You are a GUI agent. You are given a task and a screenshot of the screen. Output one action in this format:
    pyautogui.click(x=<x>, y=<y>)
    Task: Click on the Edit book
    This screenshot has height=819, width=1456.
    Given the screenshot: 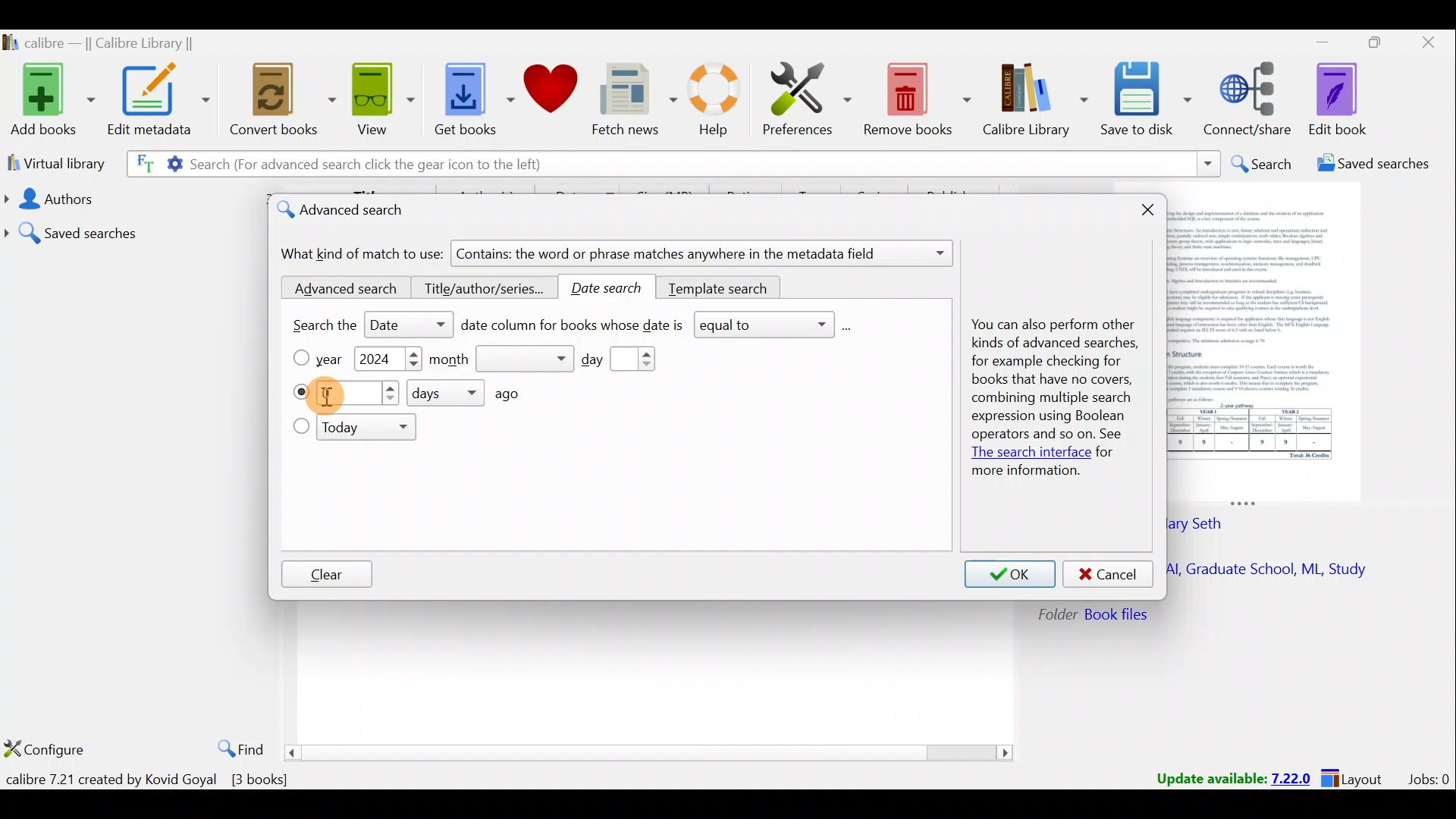 What is the action you would take?
    pyautogui.click(x=1350, y=99)
    